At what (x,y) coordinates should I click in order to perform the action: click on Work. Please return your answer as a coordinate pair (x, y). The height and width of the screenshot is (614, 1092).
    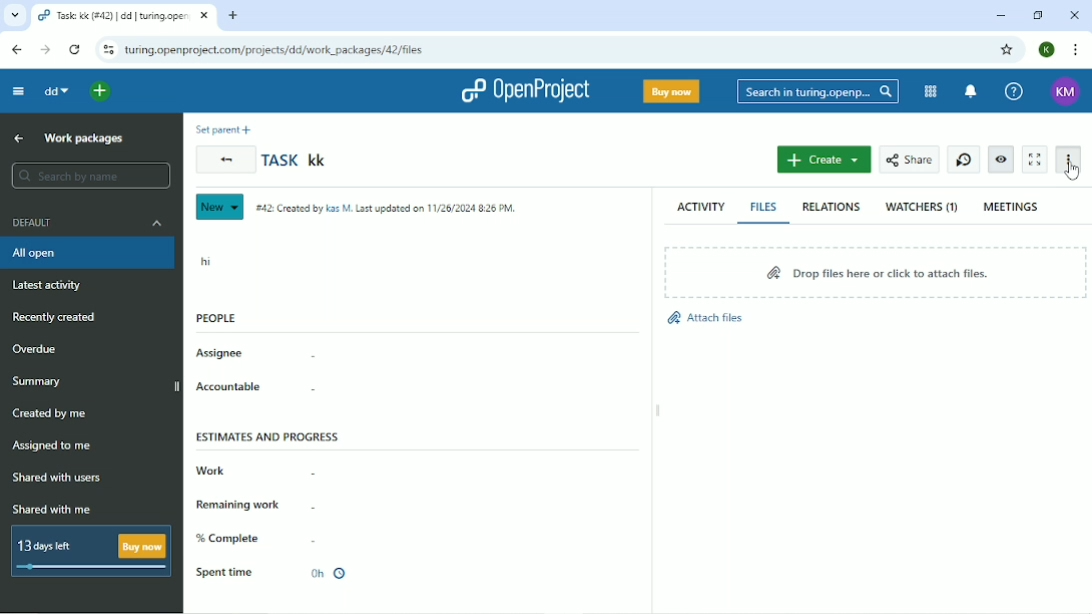
    Looking at the image, I should click on (254, 472).